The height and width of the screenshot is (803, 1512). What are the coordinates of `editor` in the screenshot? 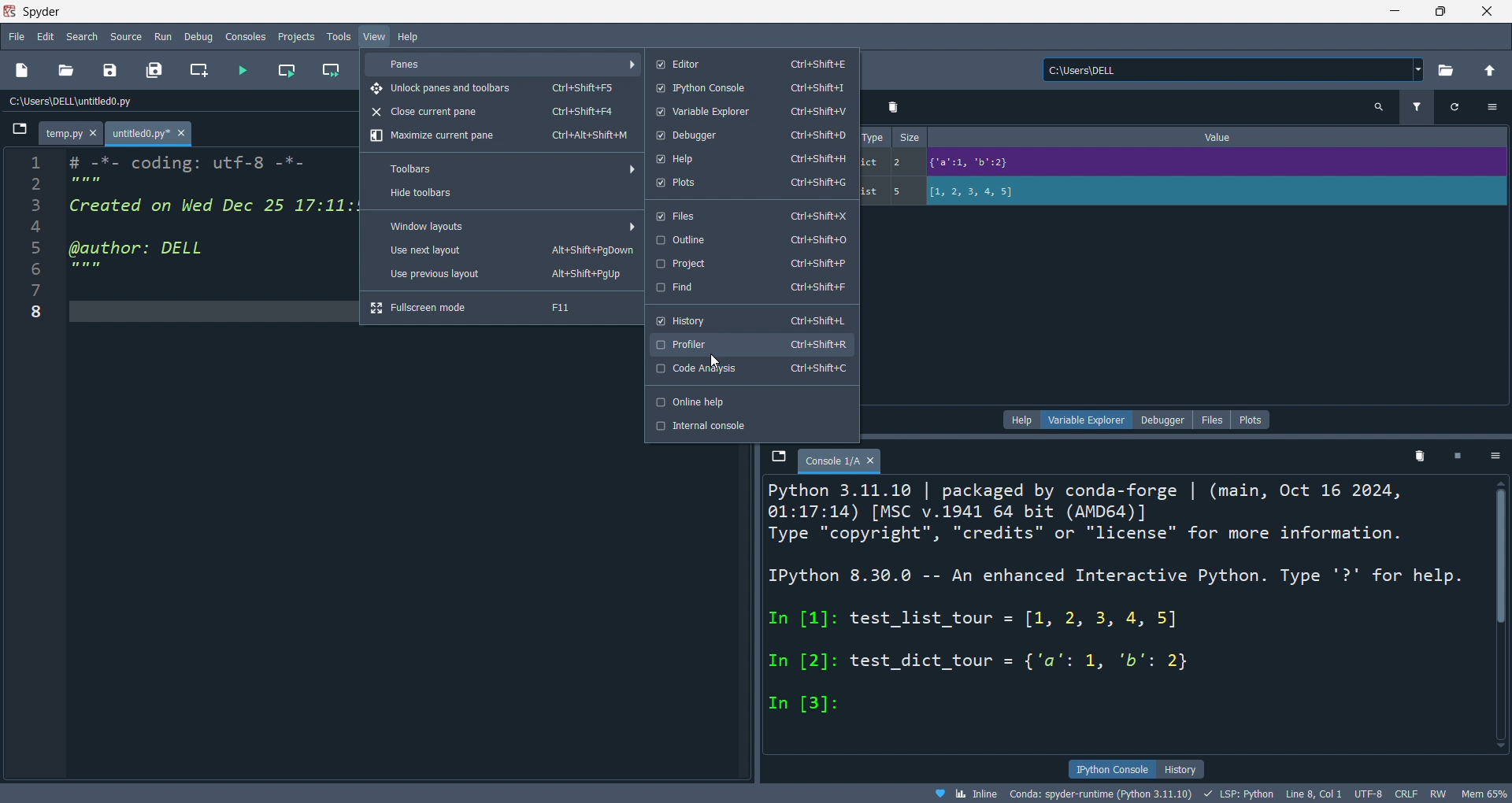 It's located at (752, 63).